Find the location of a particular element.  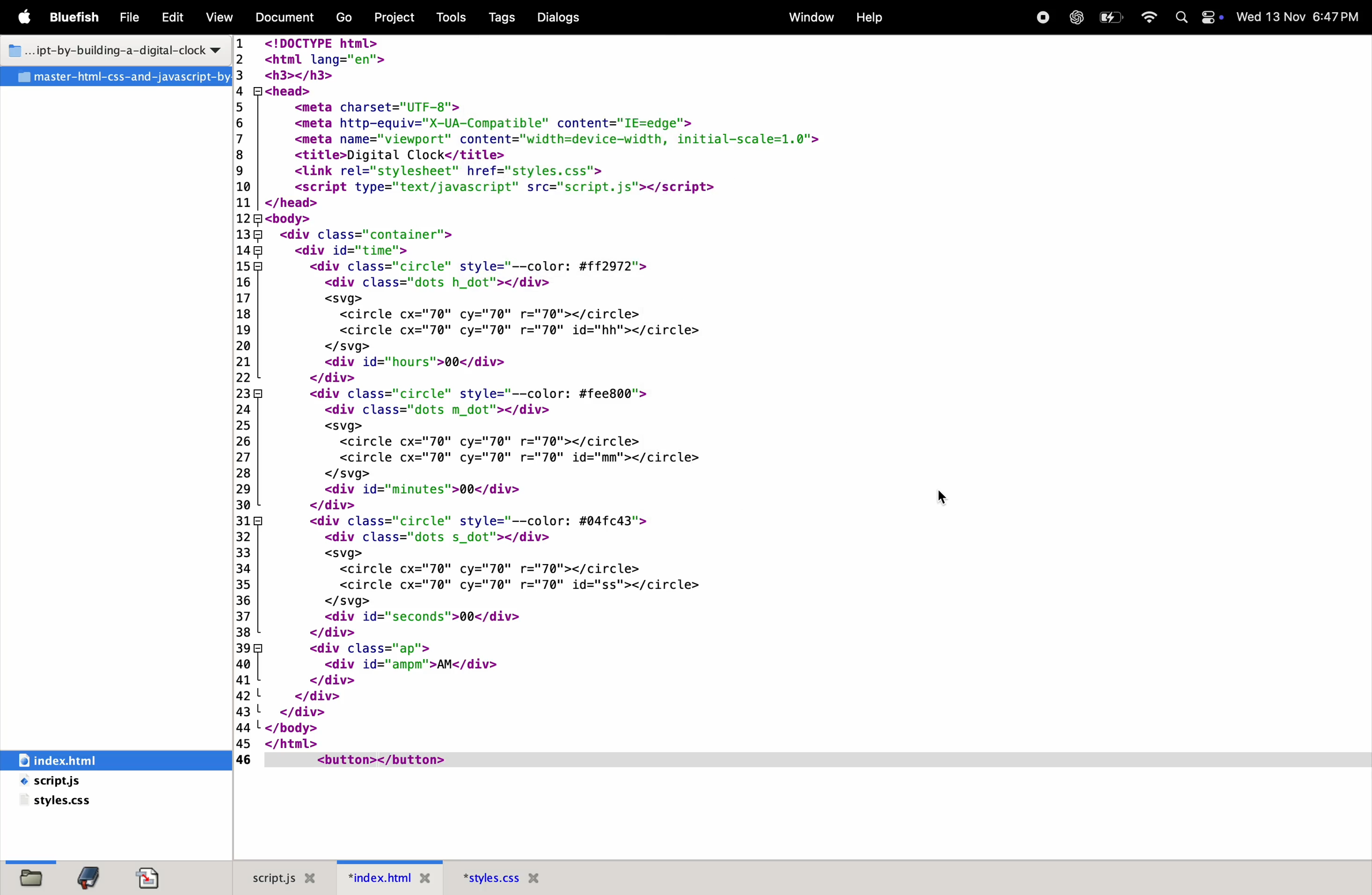

wifi is located at coordinates (1153, 14).